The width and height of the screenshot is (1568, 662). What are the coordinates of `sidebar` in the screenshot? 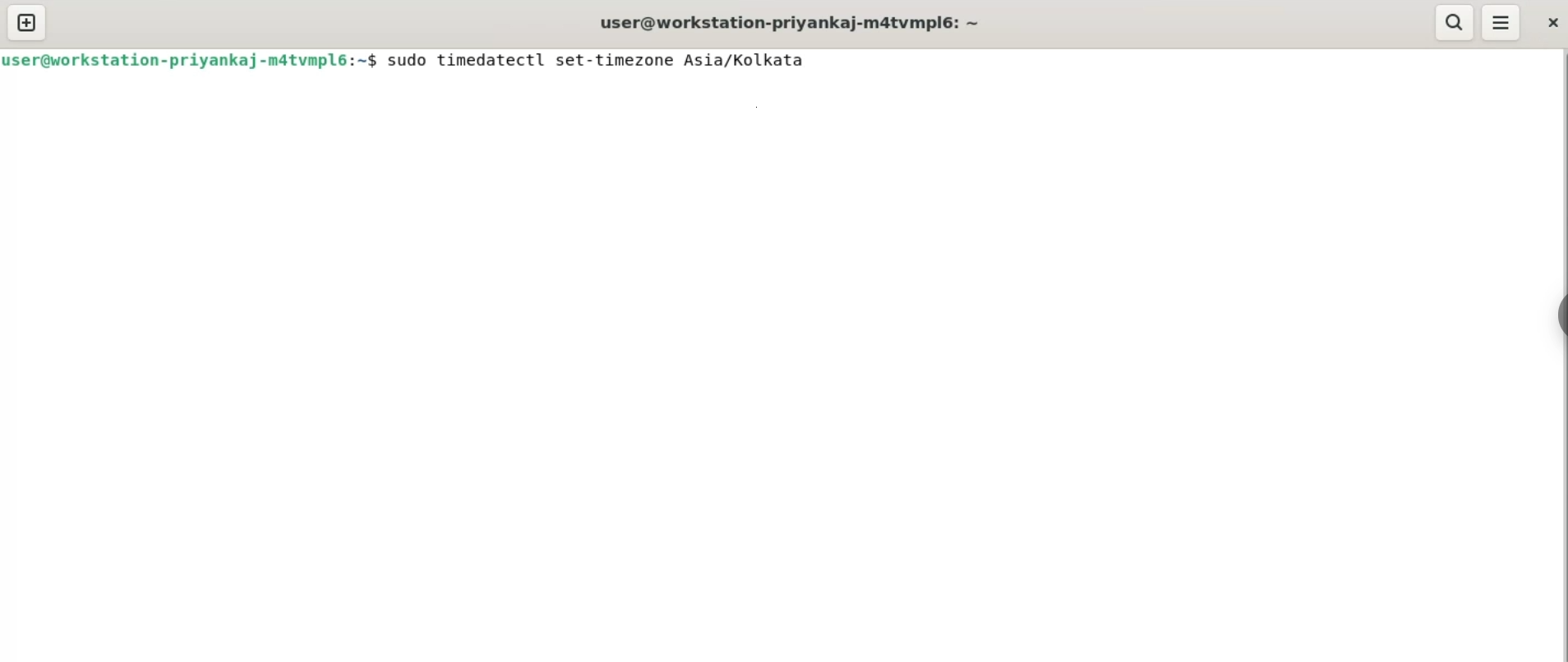 It's located at (1566, 311).